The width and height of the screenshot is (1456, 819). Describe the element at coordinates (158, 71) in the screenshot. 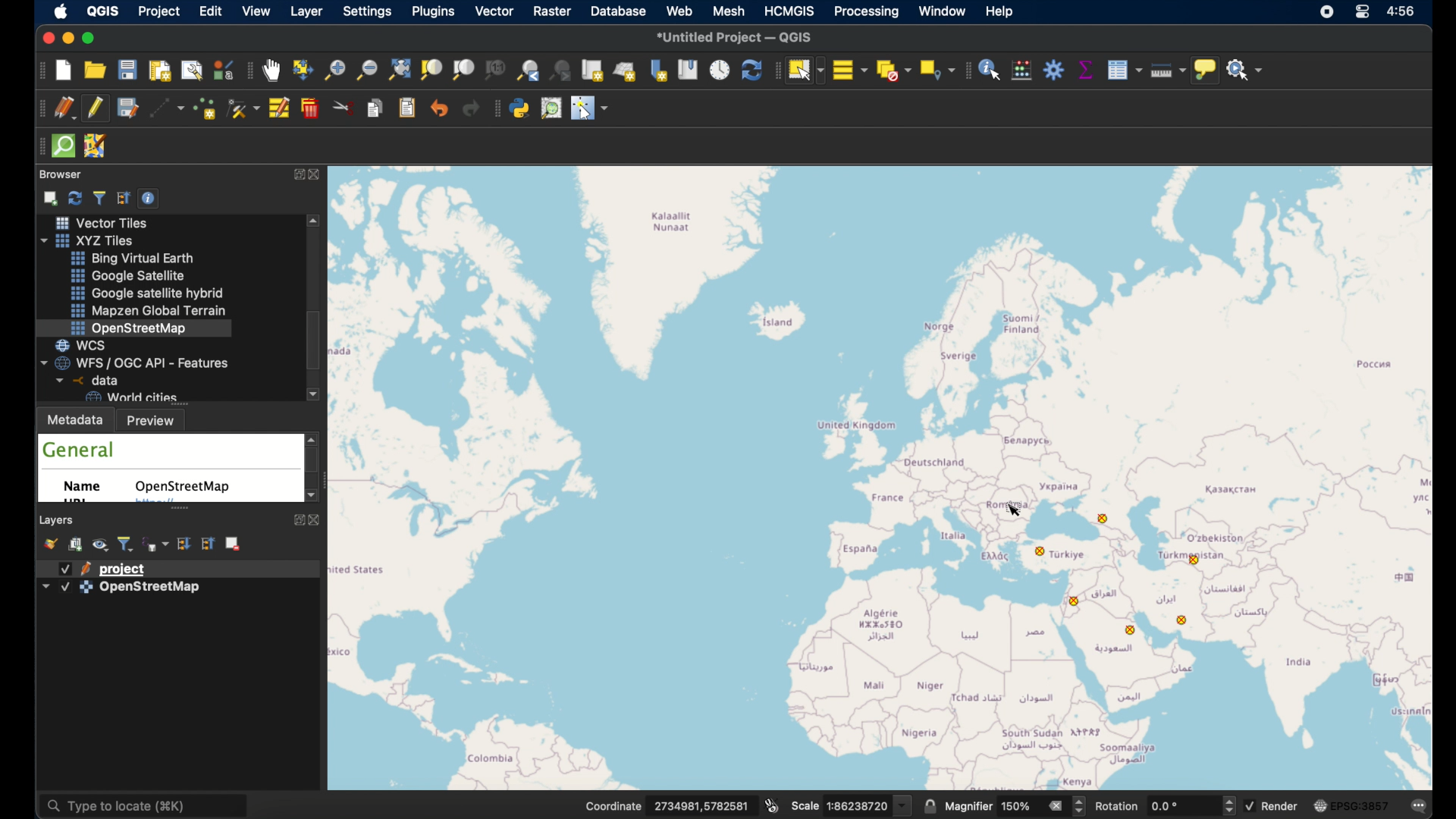

I see `new print layout` at that location.